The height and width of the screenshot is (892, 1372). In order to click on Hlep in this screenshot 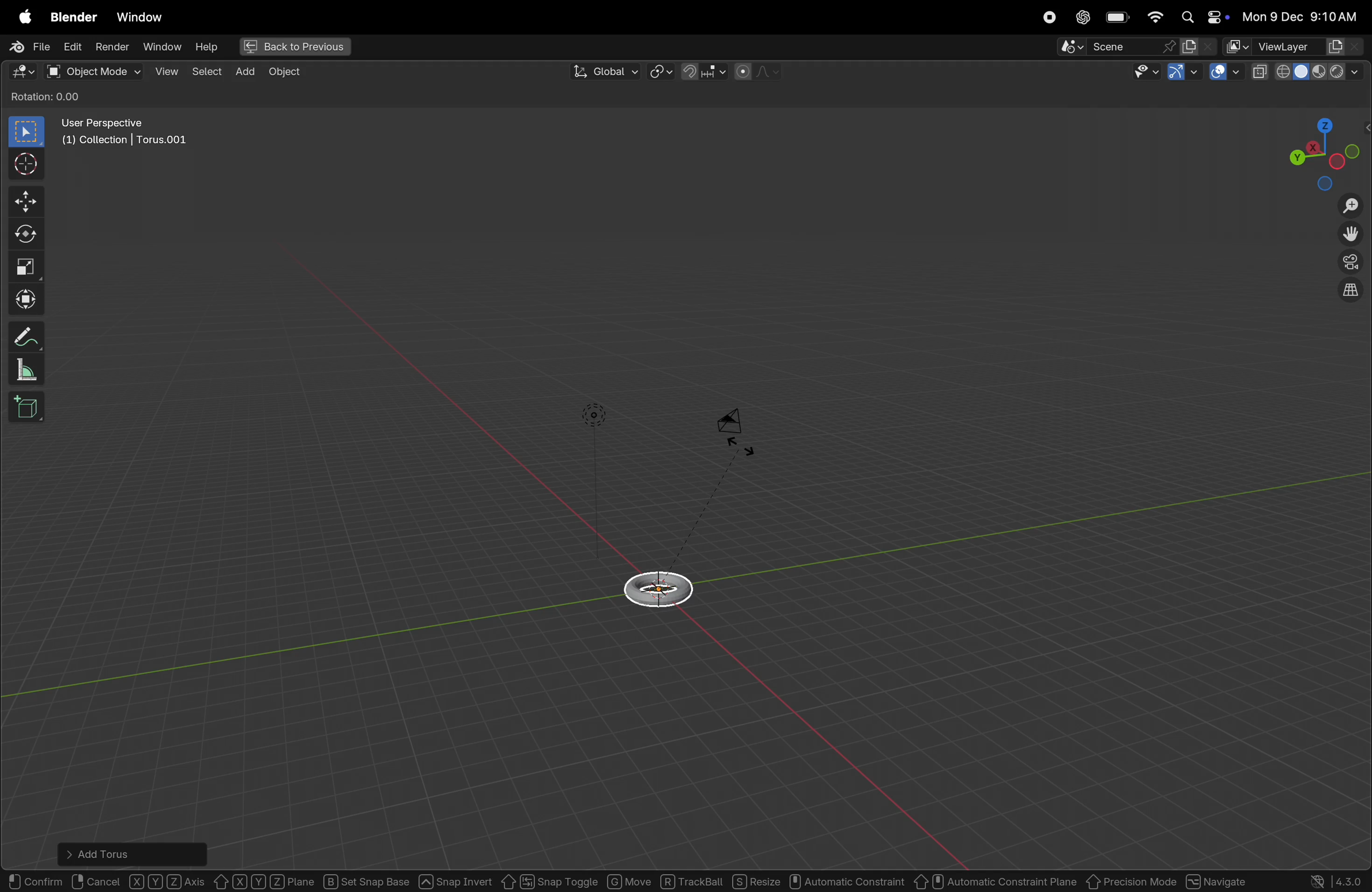, I will do `click(205, 47)`.